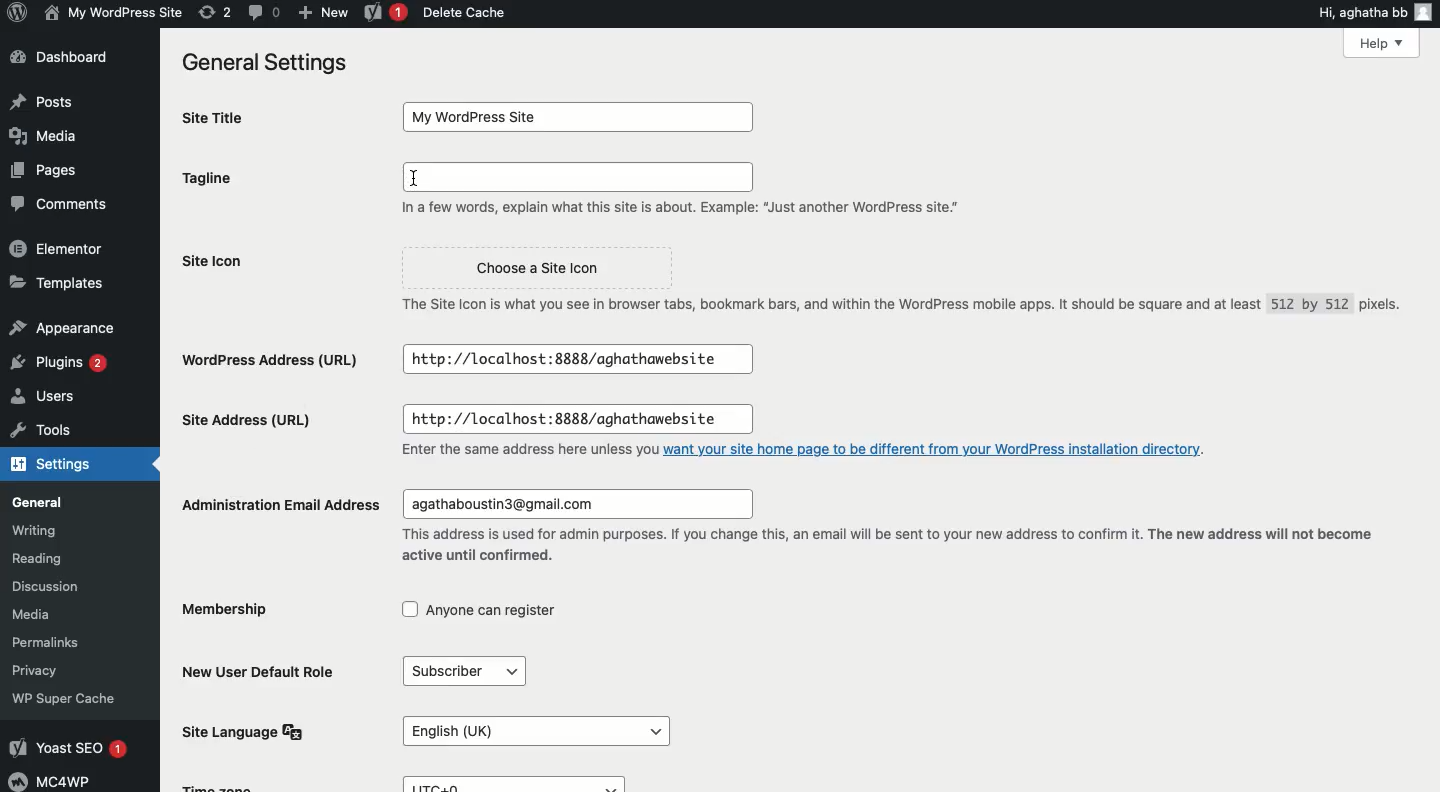 The image size is (1440, 792). Describe the element at coordinates (488, 612) in the screenshot. I see `Anyone can register` at that location.